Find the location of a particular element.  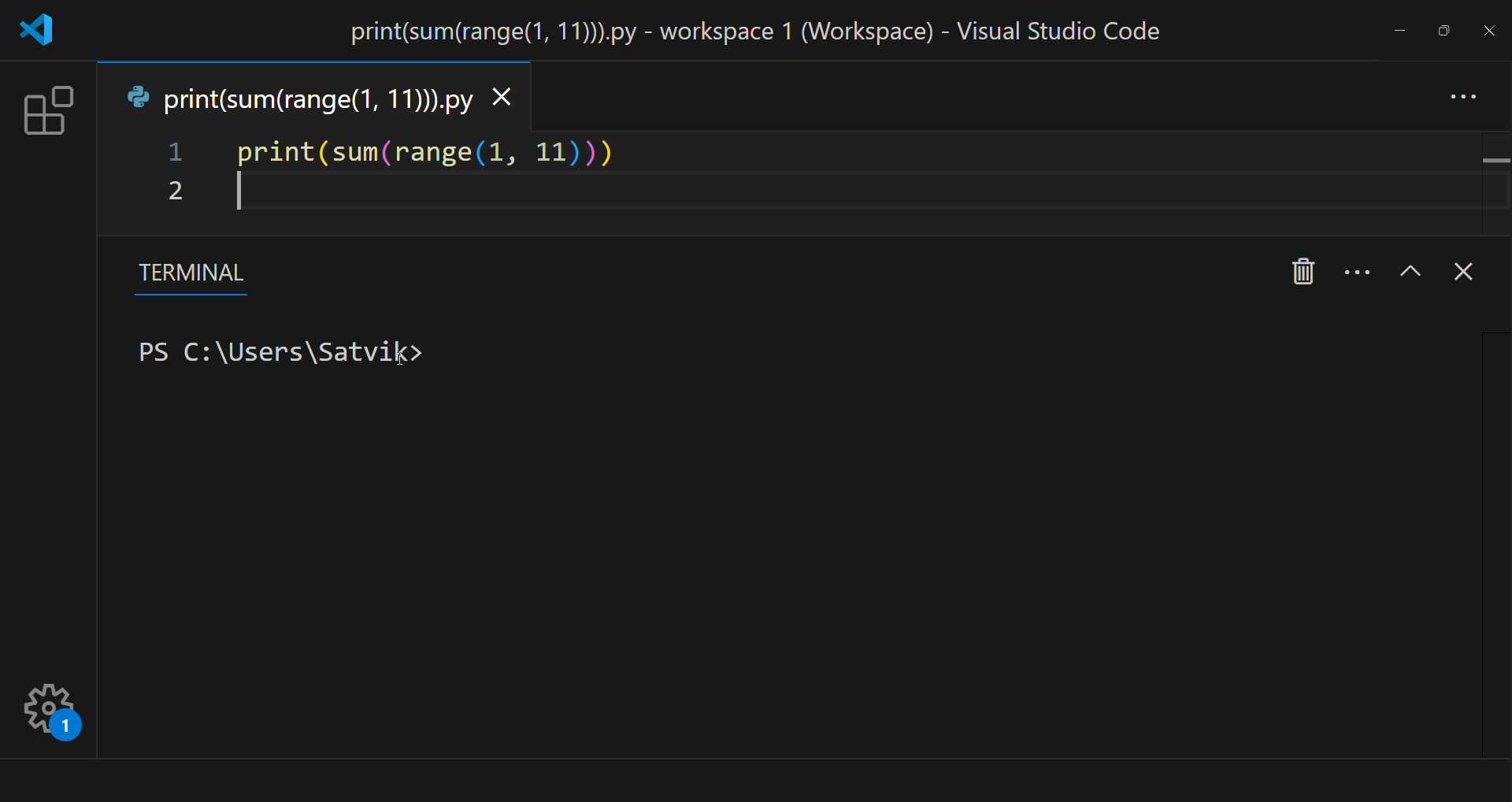

more is located at coordinates (1466, 96).